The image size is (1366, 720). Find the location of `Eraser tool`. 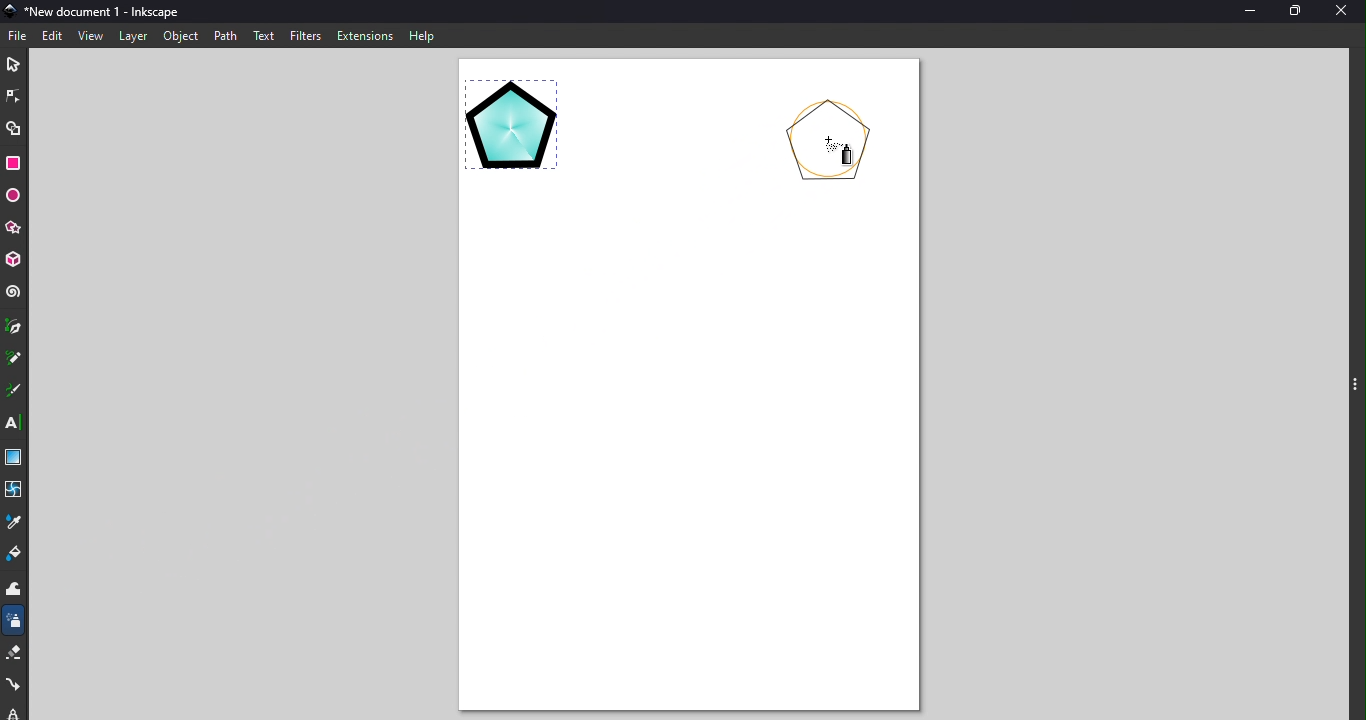

Eraser tool is located at coordinates (15, 655).